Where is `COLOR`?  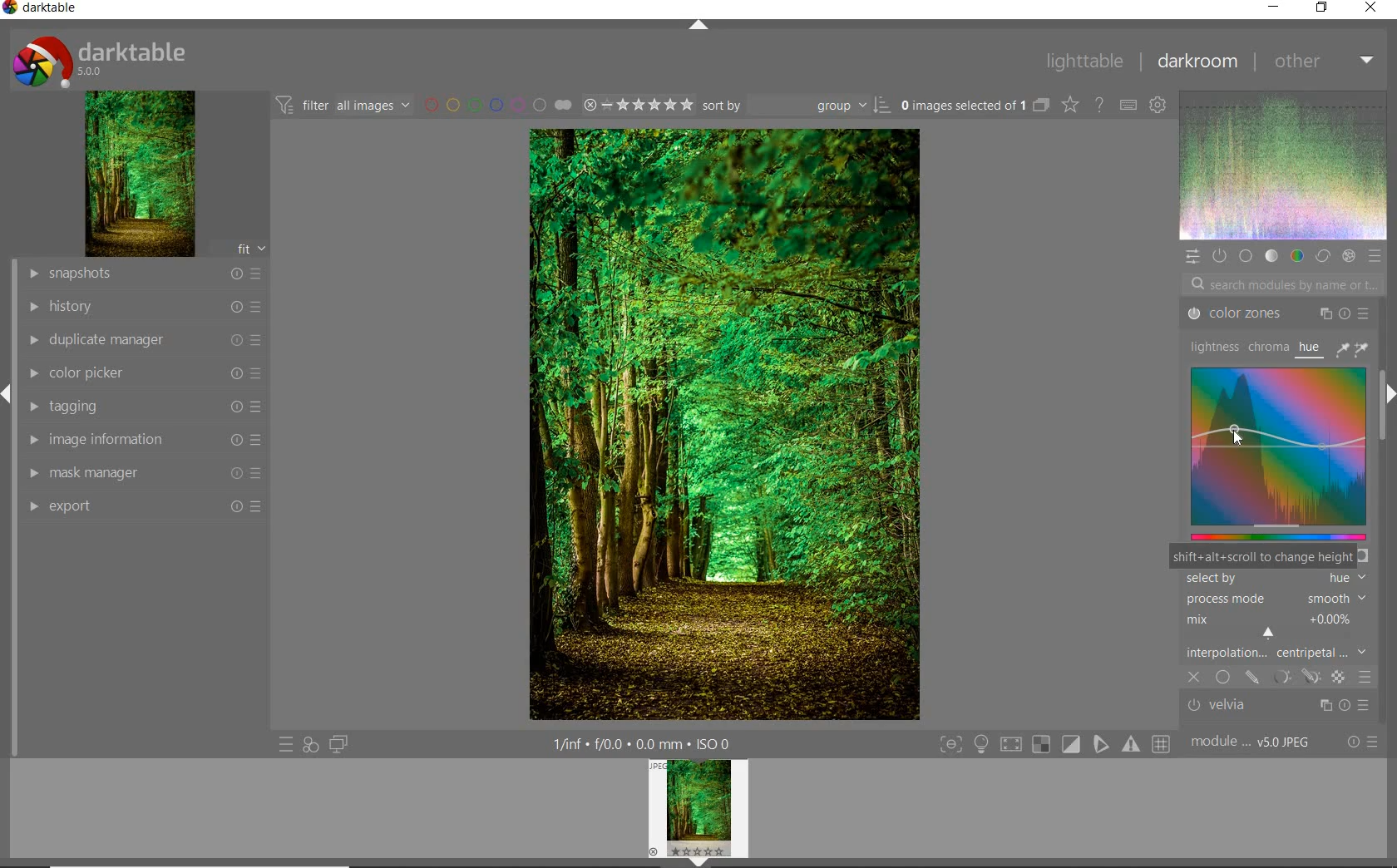
COLOR is located at coordinates (1299, 256).